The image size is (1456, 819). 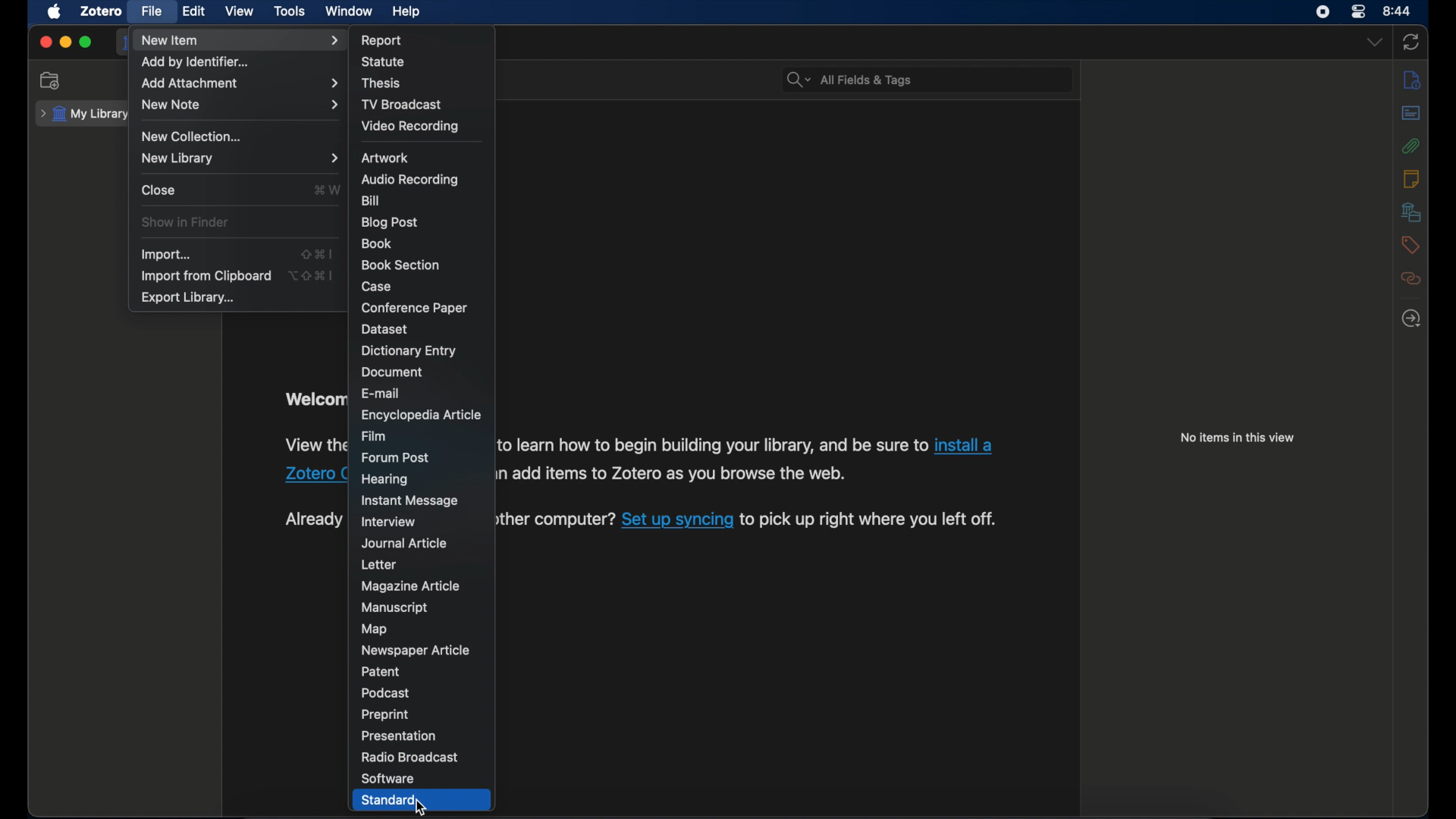 I want to click on sync, so click(x=1414, y=41).